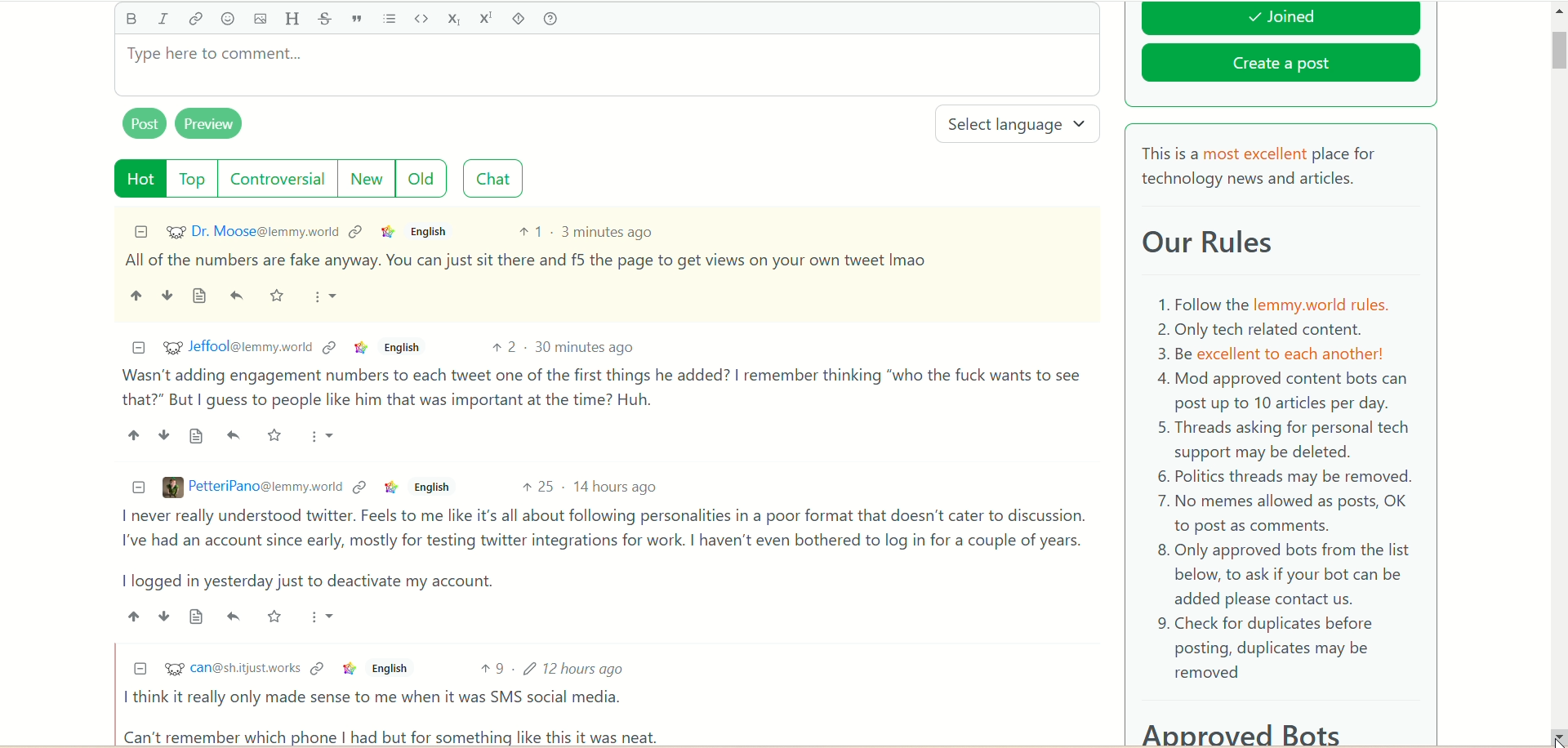  Describe the element at coordinates (527, 260) in the screenshot. I see `All of the numbers are fake anyway. You can just sit there and f5 the page to get views on your own tweet Imao` at that location.